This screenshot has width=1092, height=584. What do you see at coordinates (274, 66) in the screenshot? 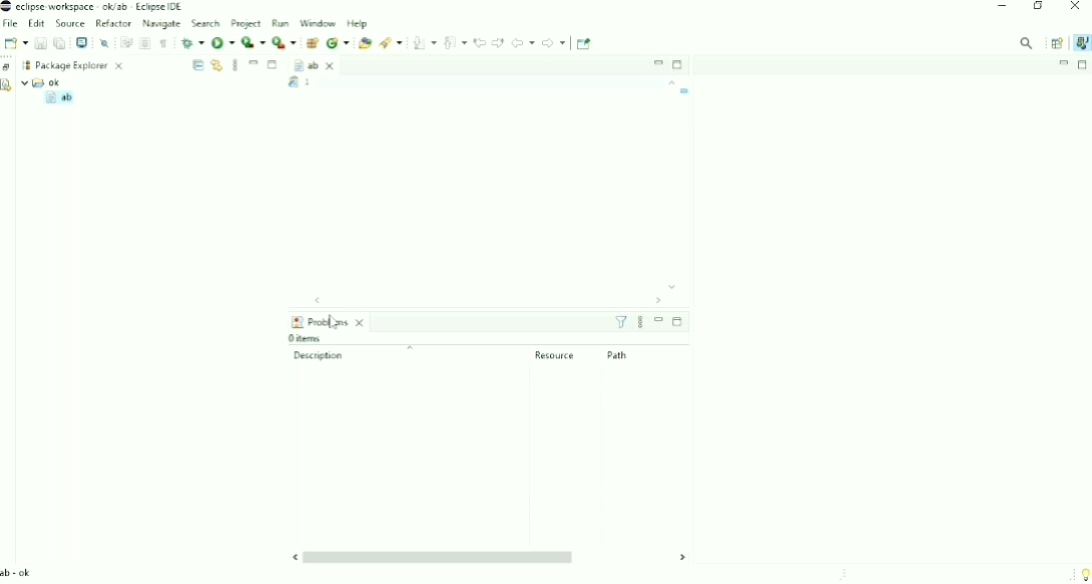
I see `Maximize` at bounding box center [274, 66].